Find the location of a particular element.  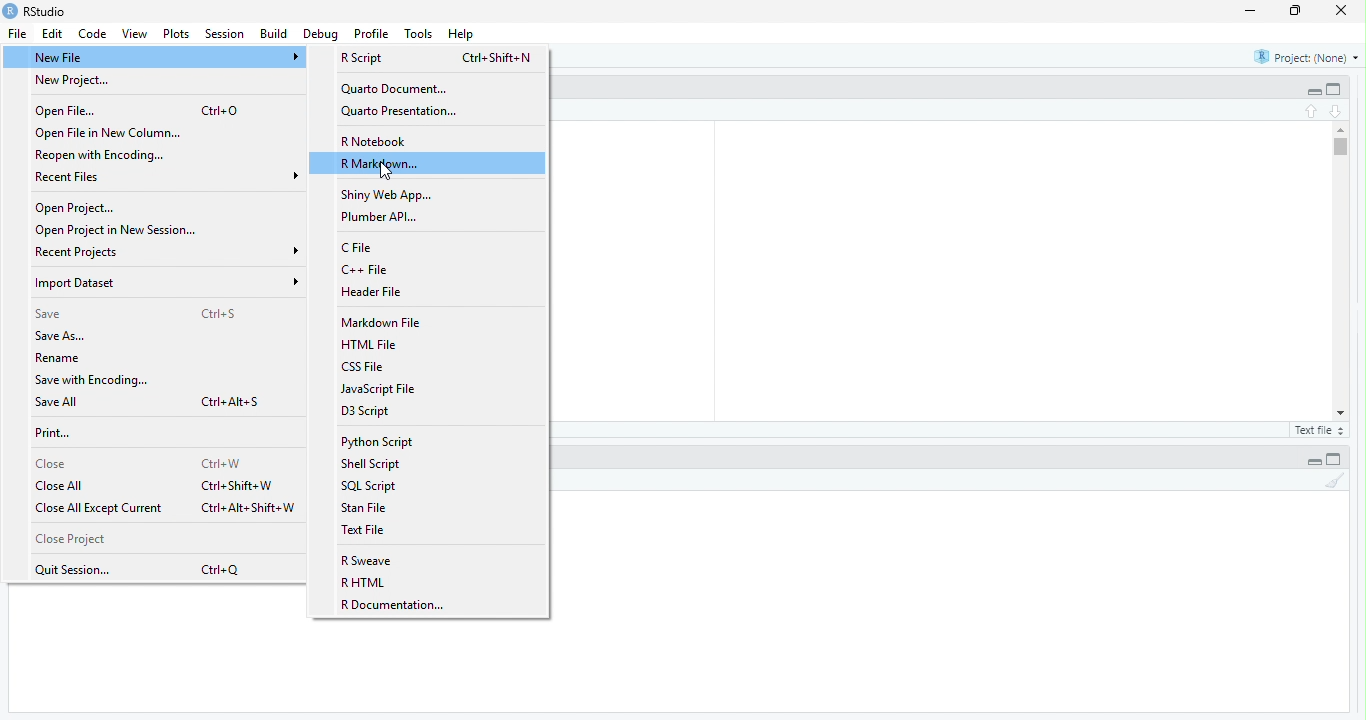

Recent Projects is located at coordinates (169, 251).